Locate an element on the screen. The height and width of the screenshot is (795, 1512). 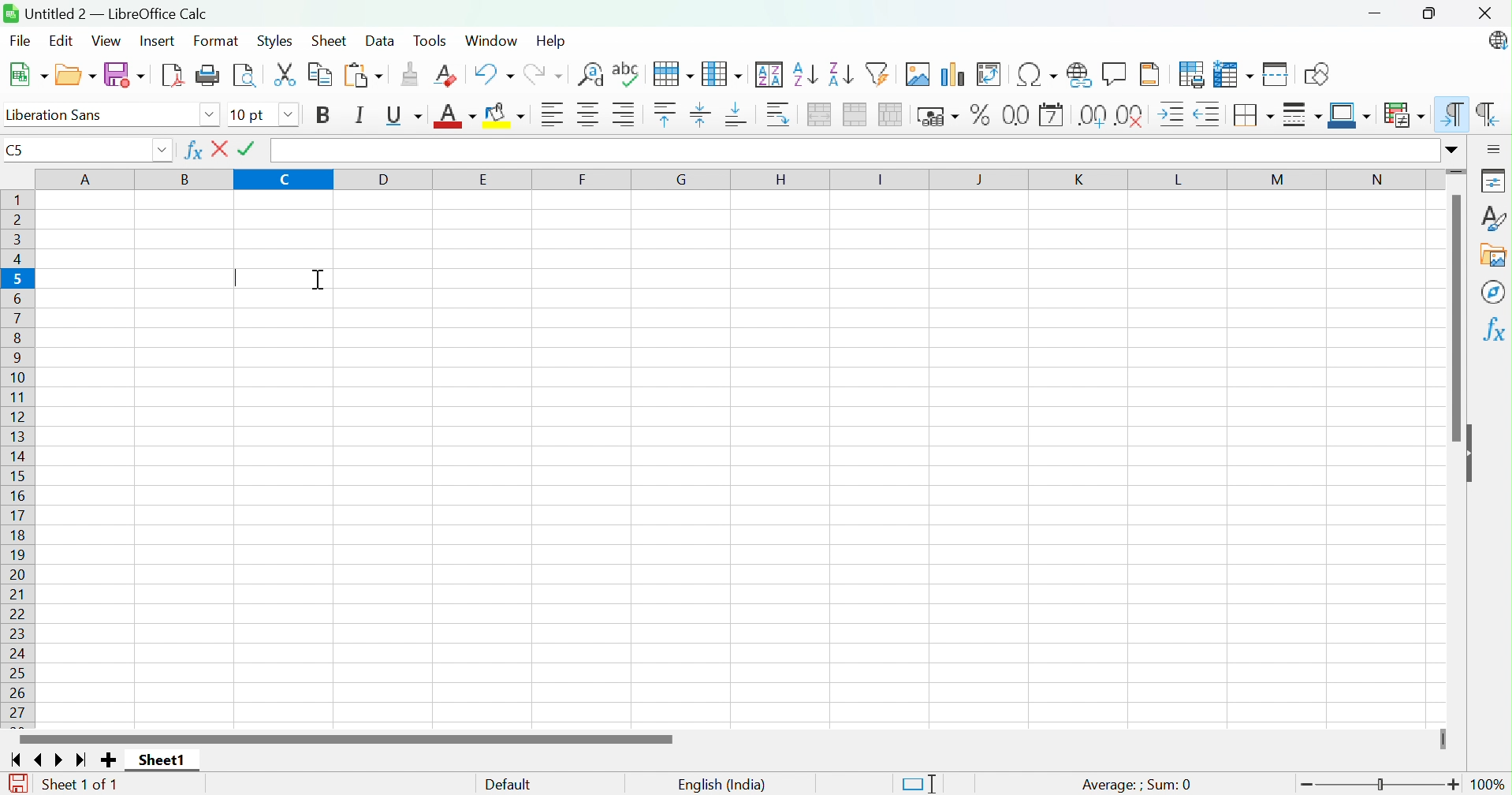
Add decimal place is located at coordinates (1092, 117).